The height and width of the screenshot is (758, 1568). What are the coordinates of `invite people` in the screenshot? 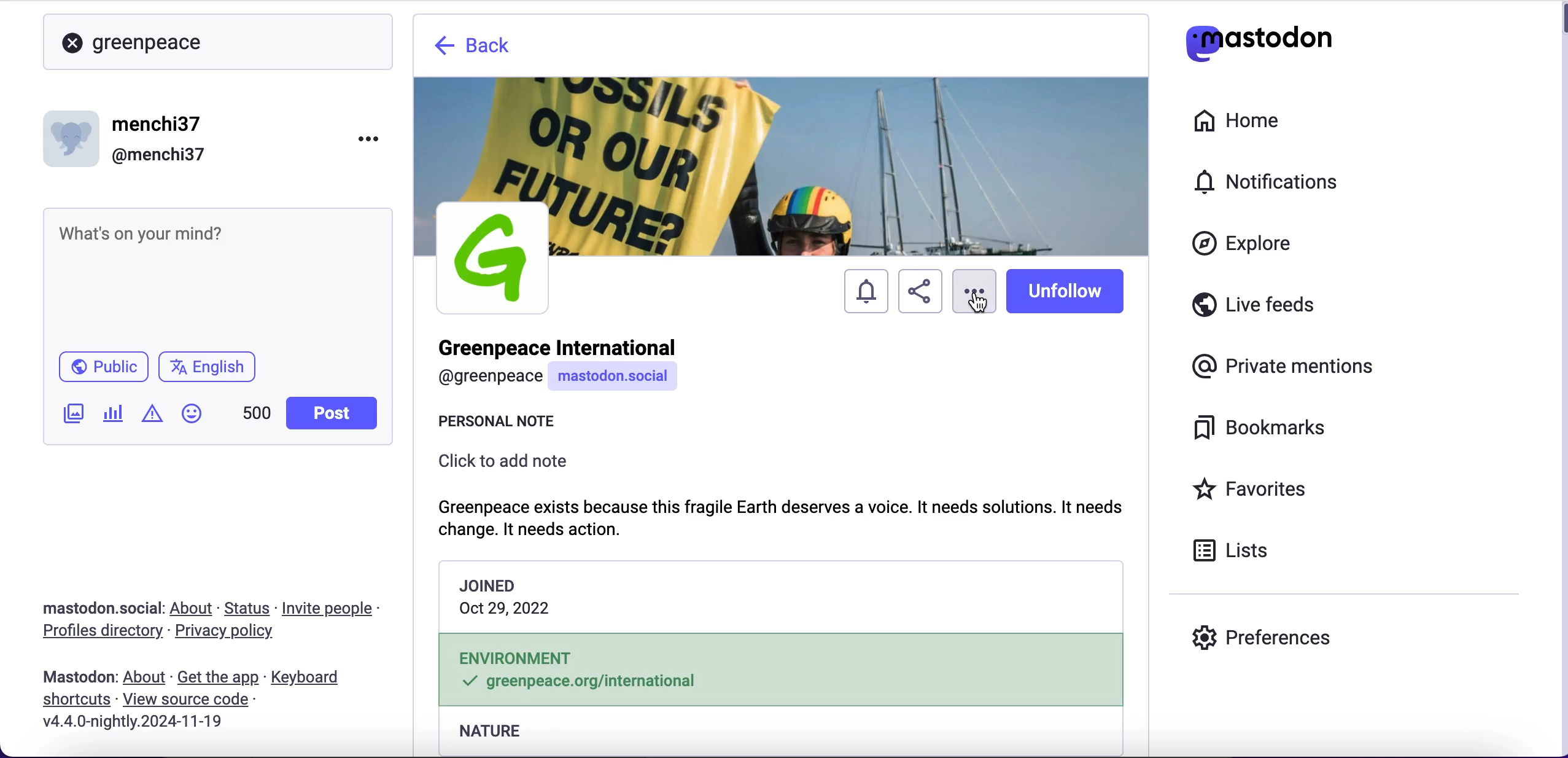 It's located at (334, 609).